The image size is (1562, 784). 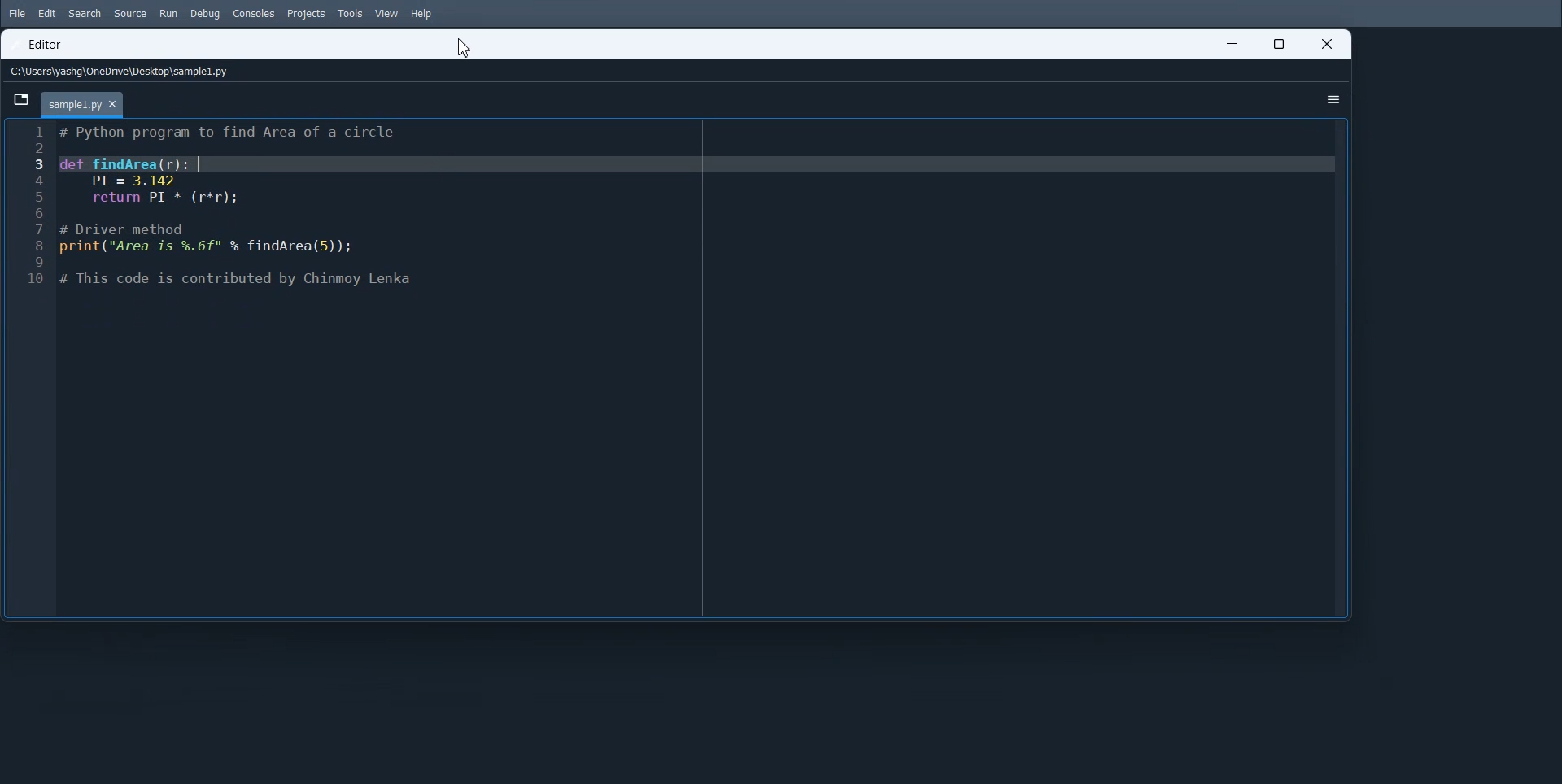 I want to click on Minimize, so click(x=1225, y=46).